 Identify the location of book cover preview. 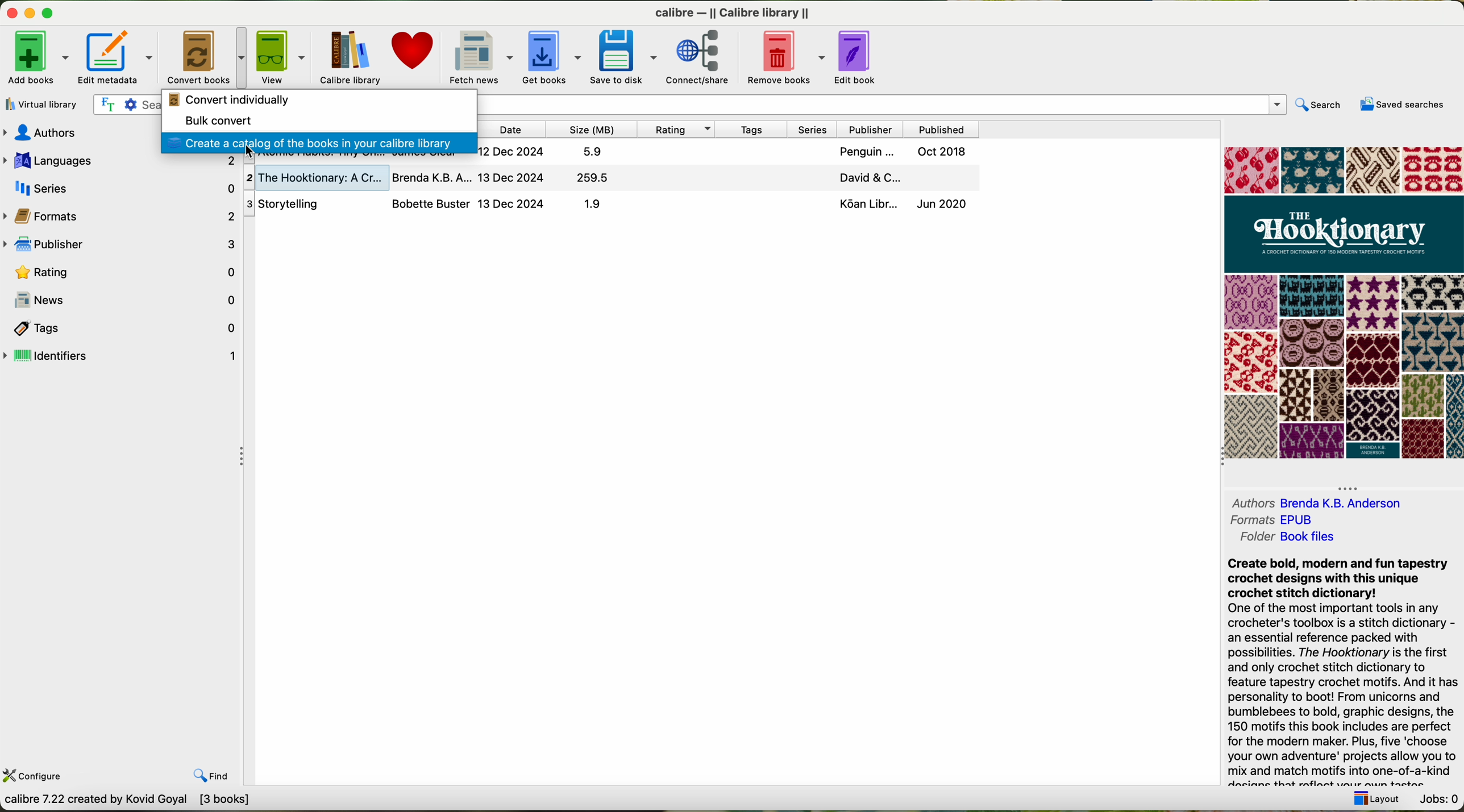
(1347, 303).